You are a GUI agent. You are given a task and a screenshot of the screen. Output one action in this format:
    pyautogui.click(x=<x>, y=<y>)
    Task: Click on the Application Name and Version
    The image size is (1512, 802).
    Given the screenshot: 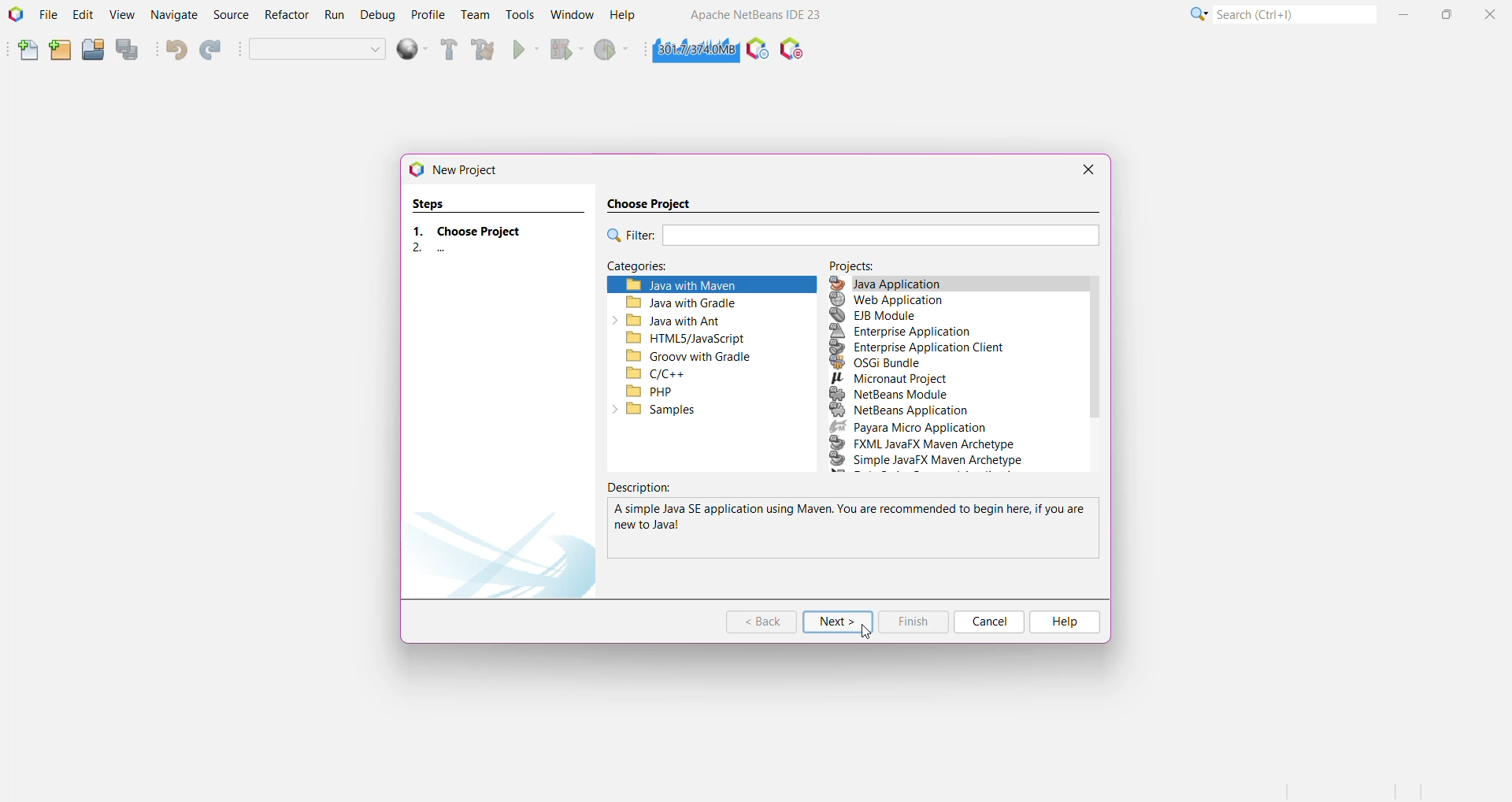 What is the action you would take?
    pyautogui.click(x=758, y=16)
    